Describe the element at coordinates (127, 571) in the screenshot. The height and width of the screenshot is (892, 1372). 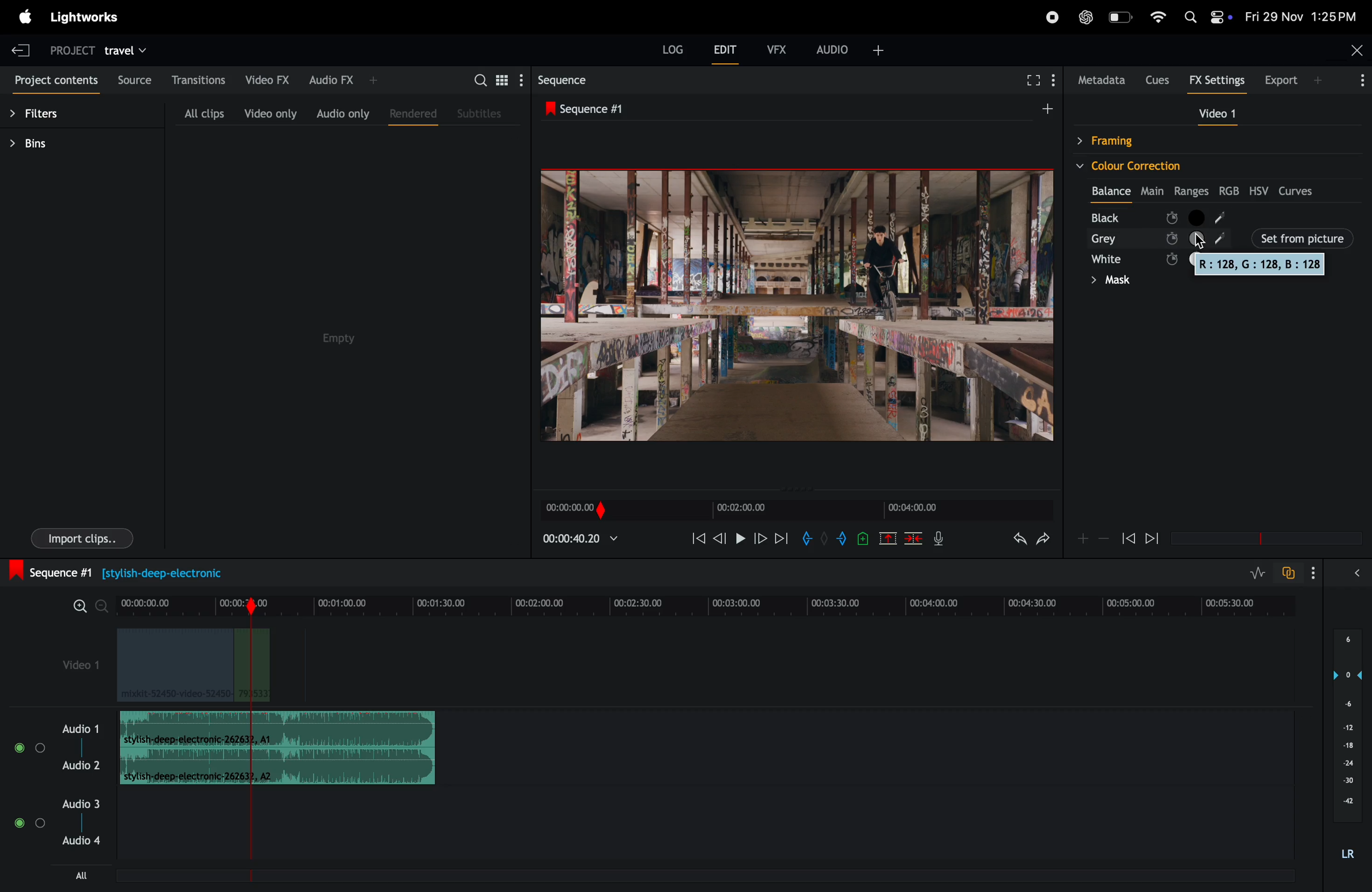
I see `sequence #1` at that location.